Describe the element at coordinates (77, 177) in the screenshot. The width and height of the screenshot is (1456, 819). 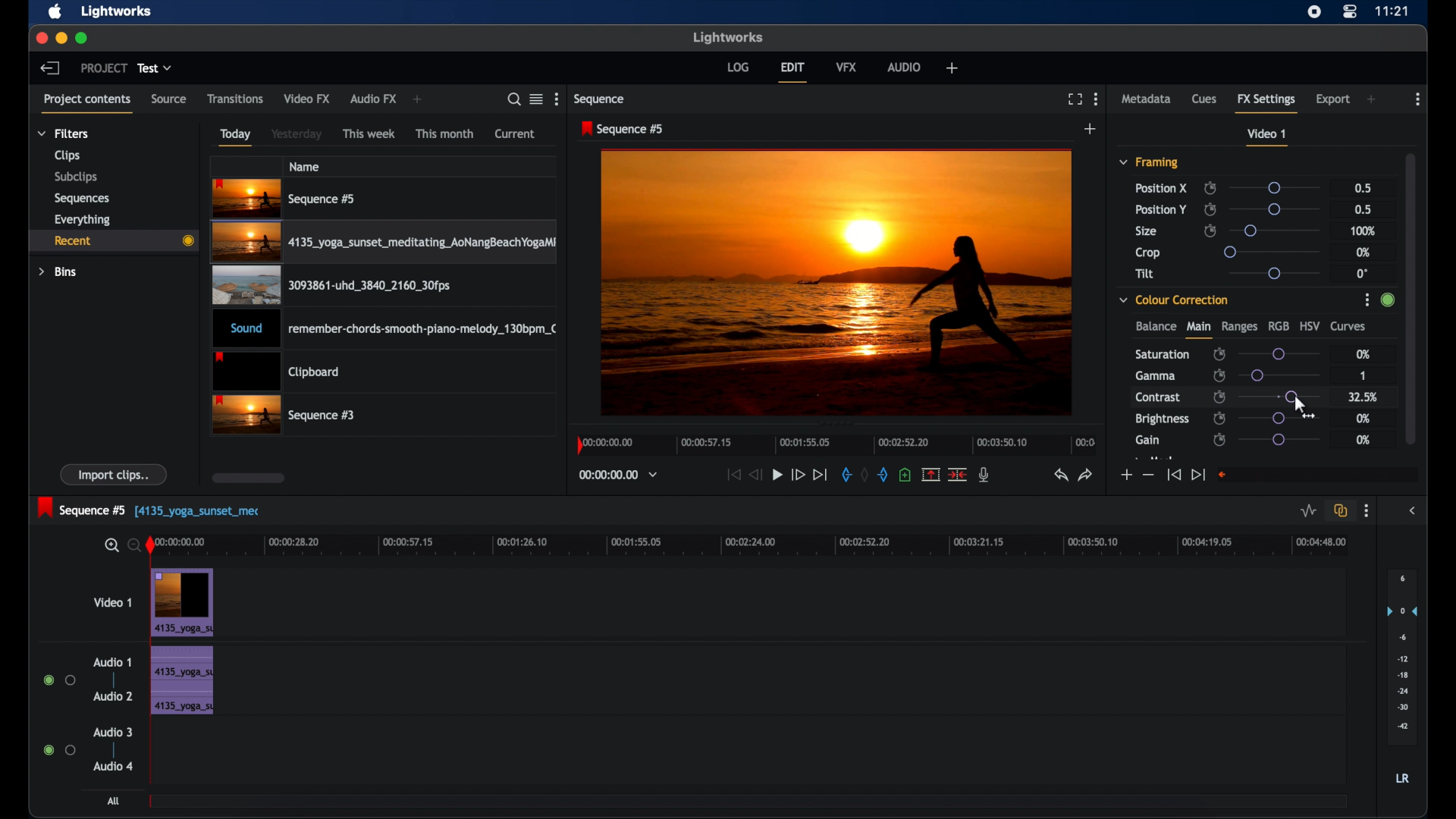
I see `subclips` at that location.